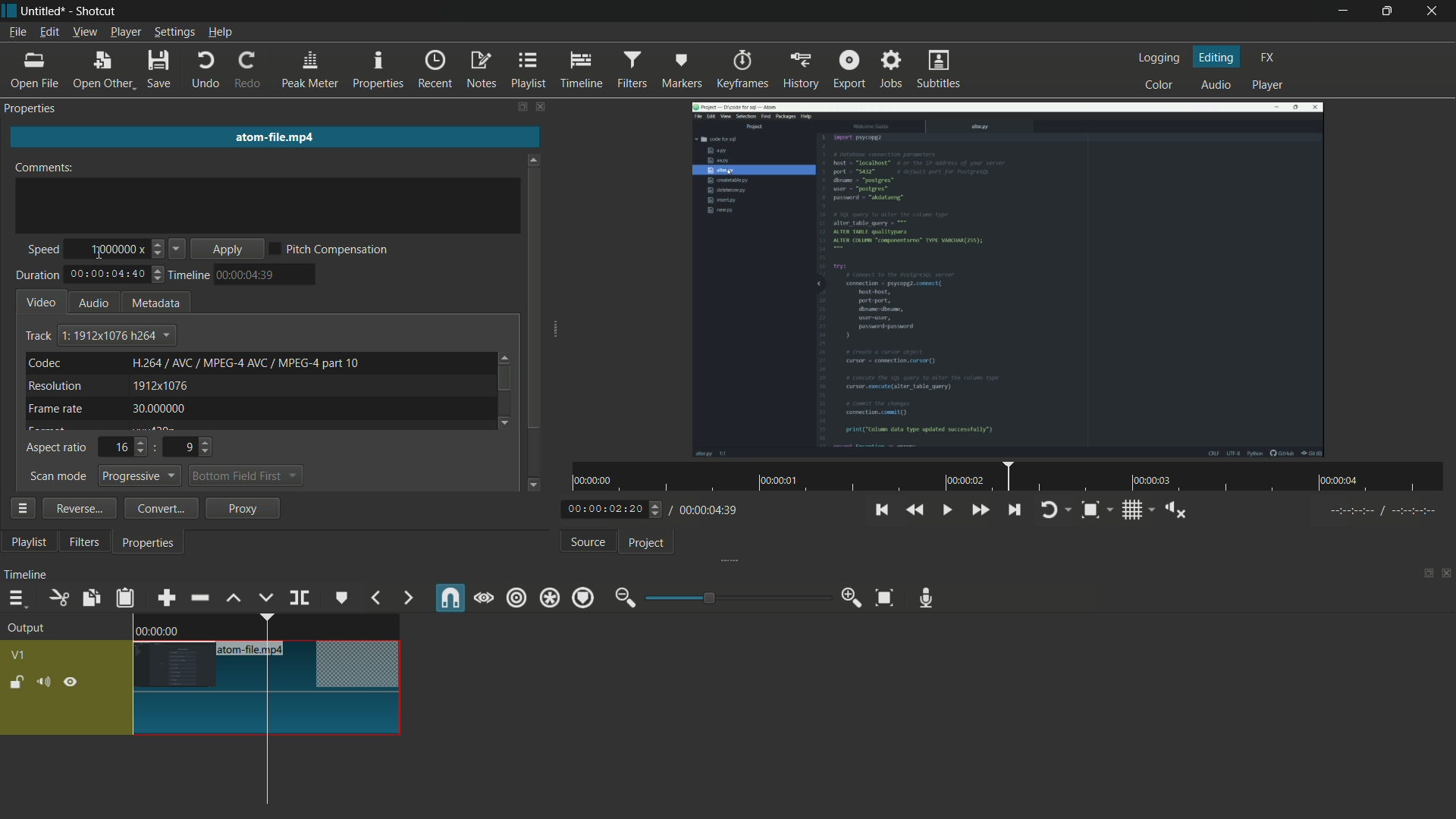 This screenshot has height=819, width=1456. I want to click on zoom timeline to fit, so click(885, 598).